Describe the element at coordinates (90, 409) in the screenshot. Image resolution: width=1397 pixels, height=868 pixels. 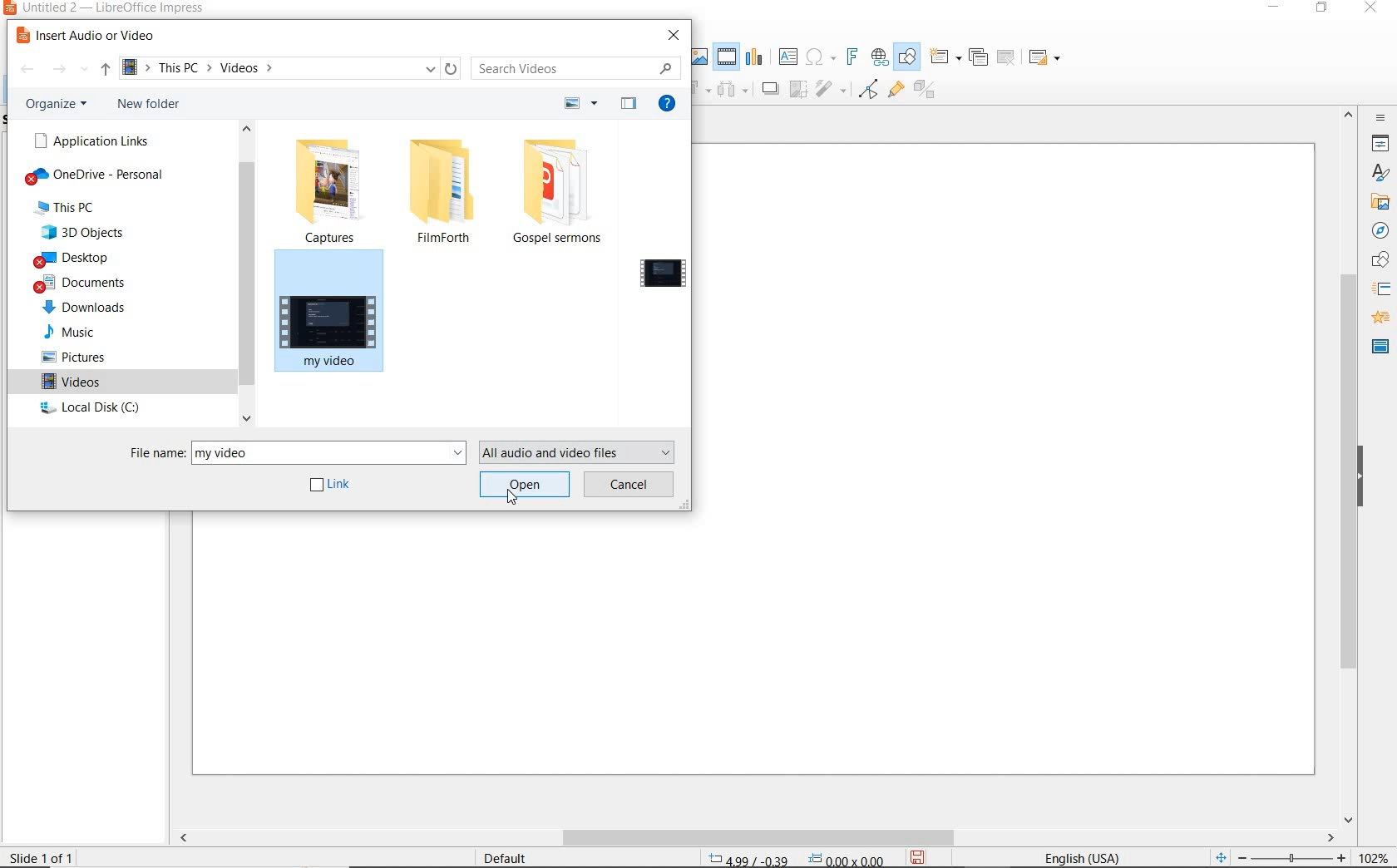
I see `local disk` at that location.